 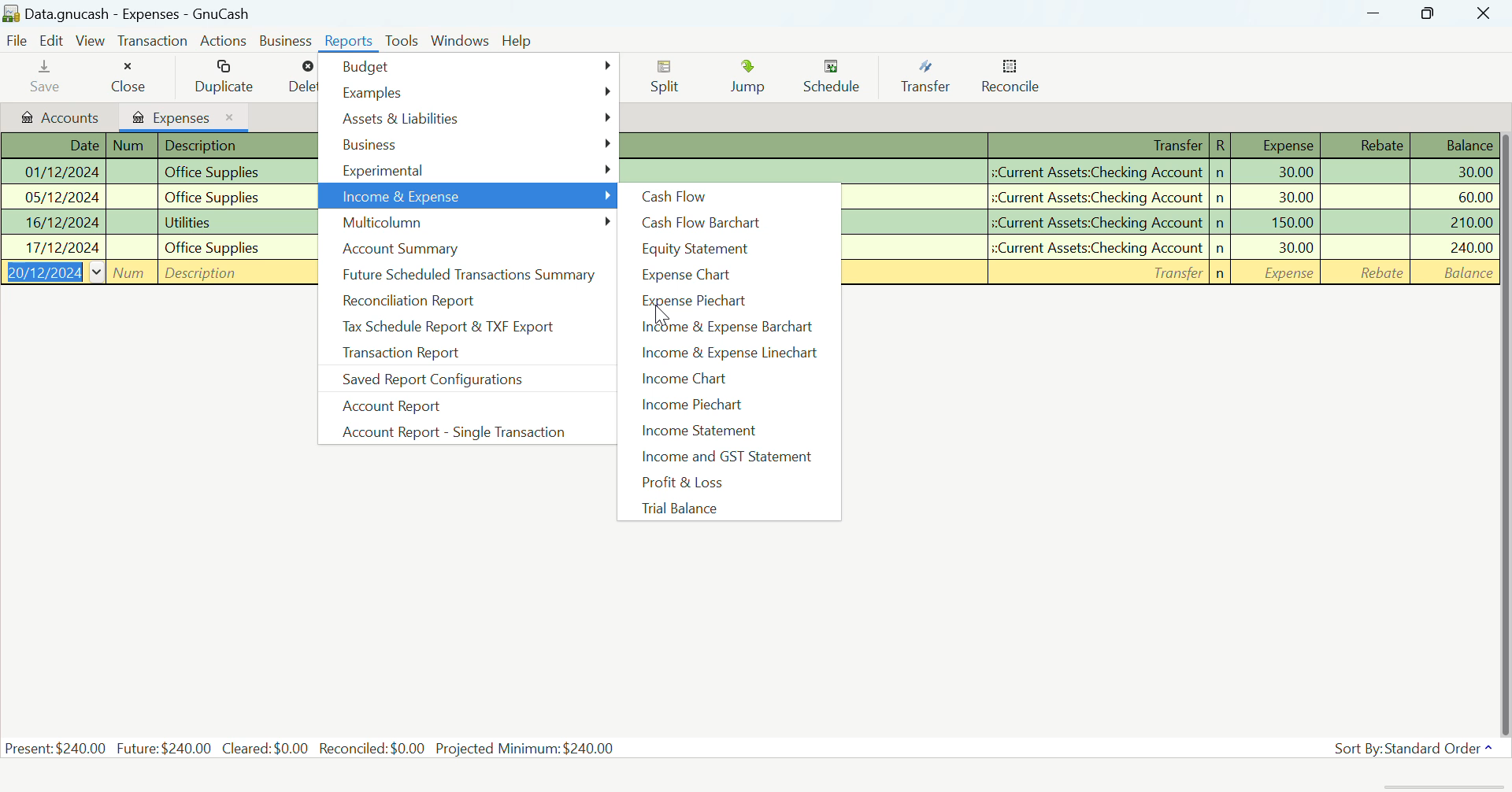 I want to click on Jump, so click(x=747, y=78).